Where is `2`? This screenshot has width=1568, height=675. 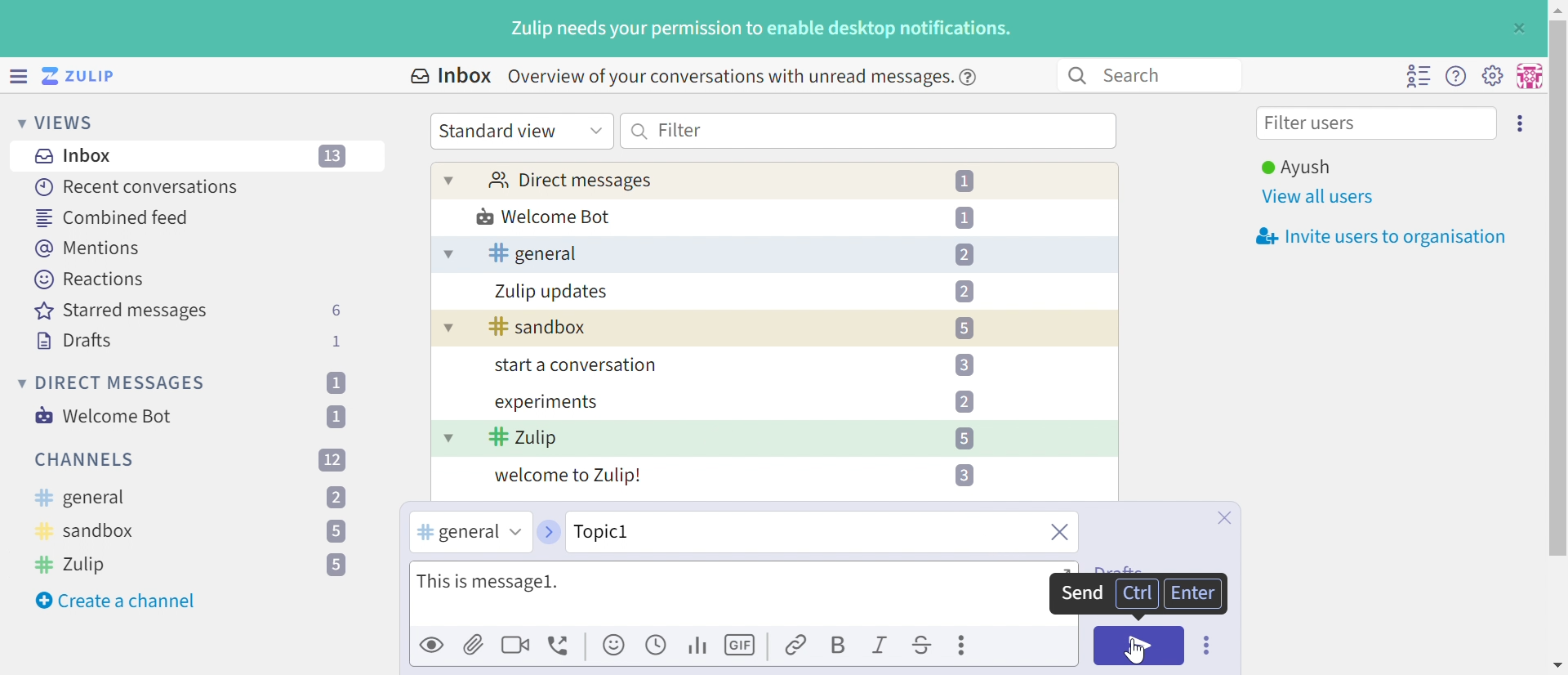
2 is located at coordinates (336, 498).